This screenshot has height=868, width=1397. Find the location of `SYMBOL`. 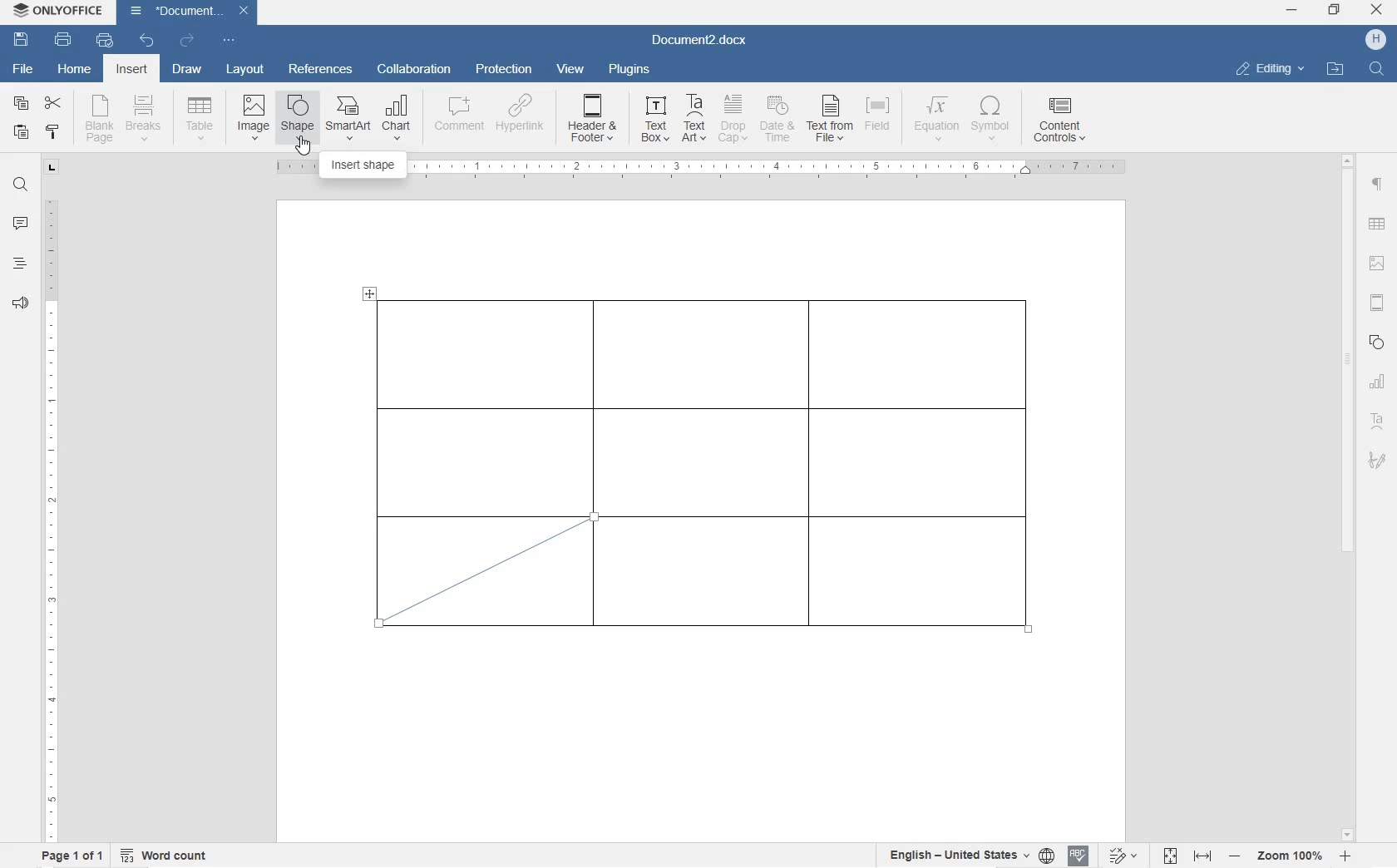

SYMBOL is located at coordinates (992, 121).